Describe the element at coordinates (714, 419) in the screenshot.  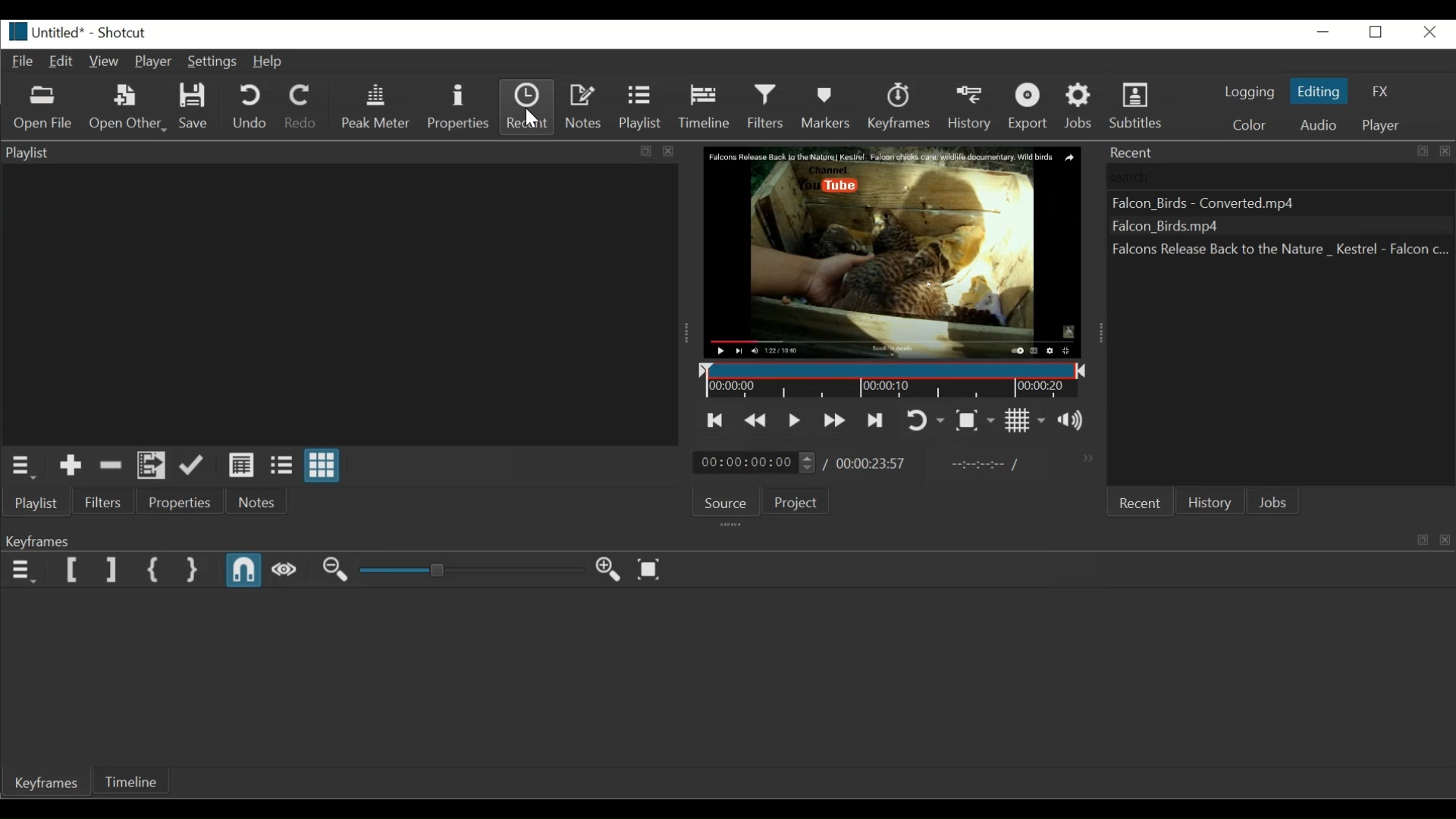
I see `Skip to the previous point` at that location.